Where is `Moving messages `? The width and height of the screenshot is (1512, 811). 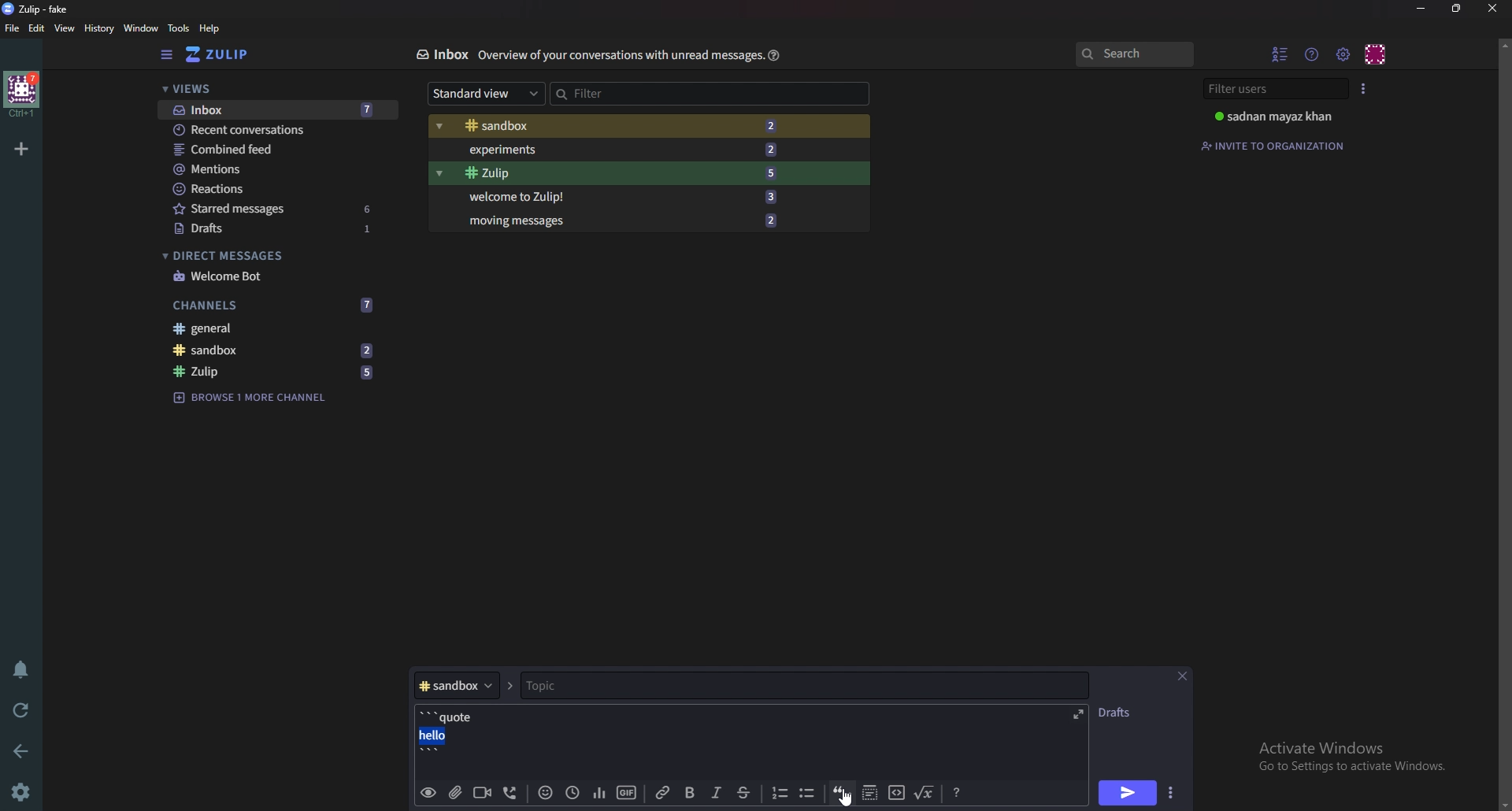 Moving messages  is located at coordinates (524, 224).